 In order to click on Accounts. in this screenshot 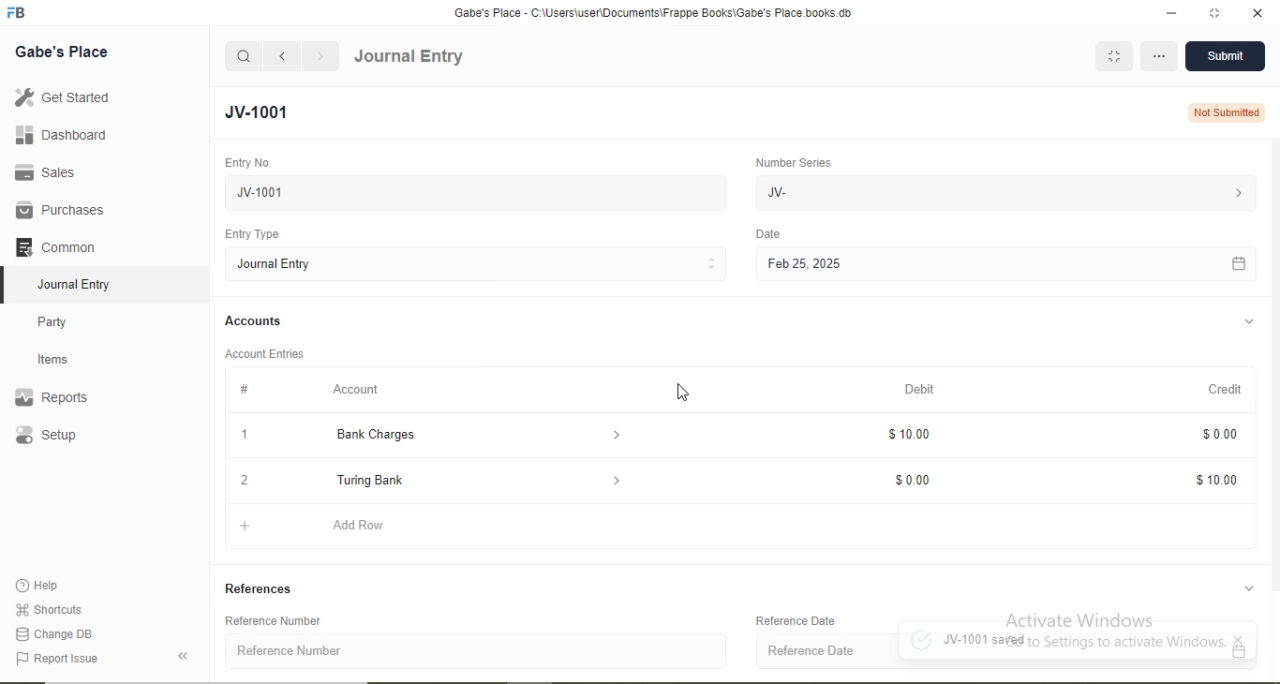, I will do `click(254, 321)`.